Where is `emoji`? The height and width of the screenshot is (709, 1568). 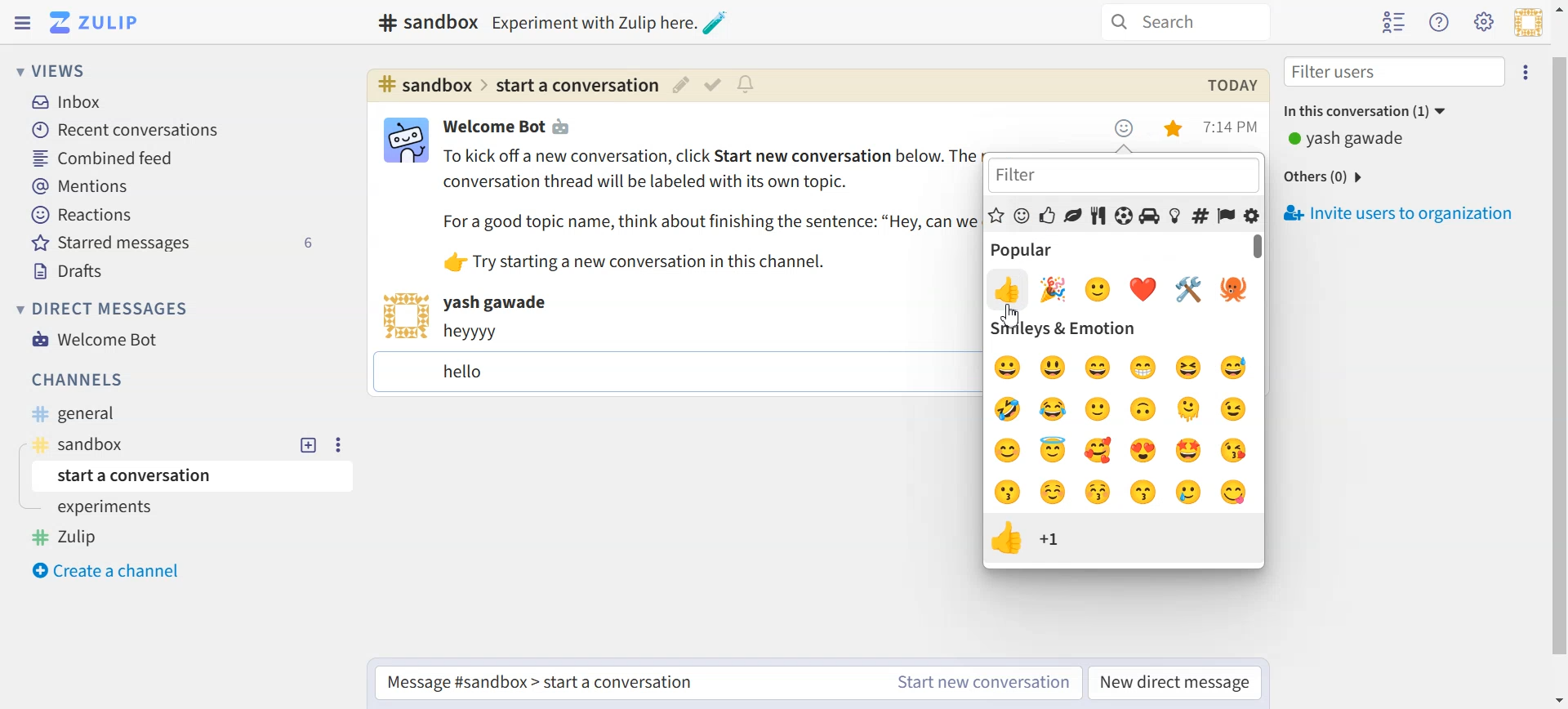 emoji is located at coordinates (1094, 286).